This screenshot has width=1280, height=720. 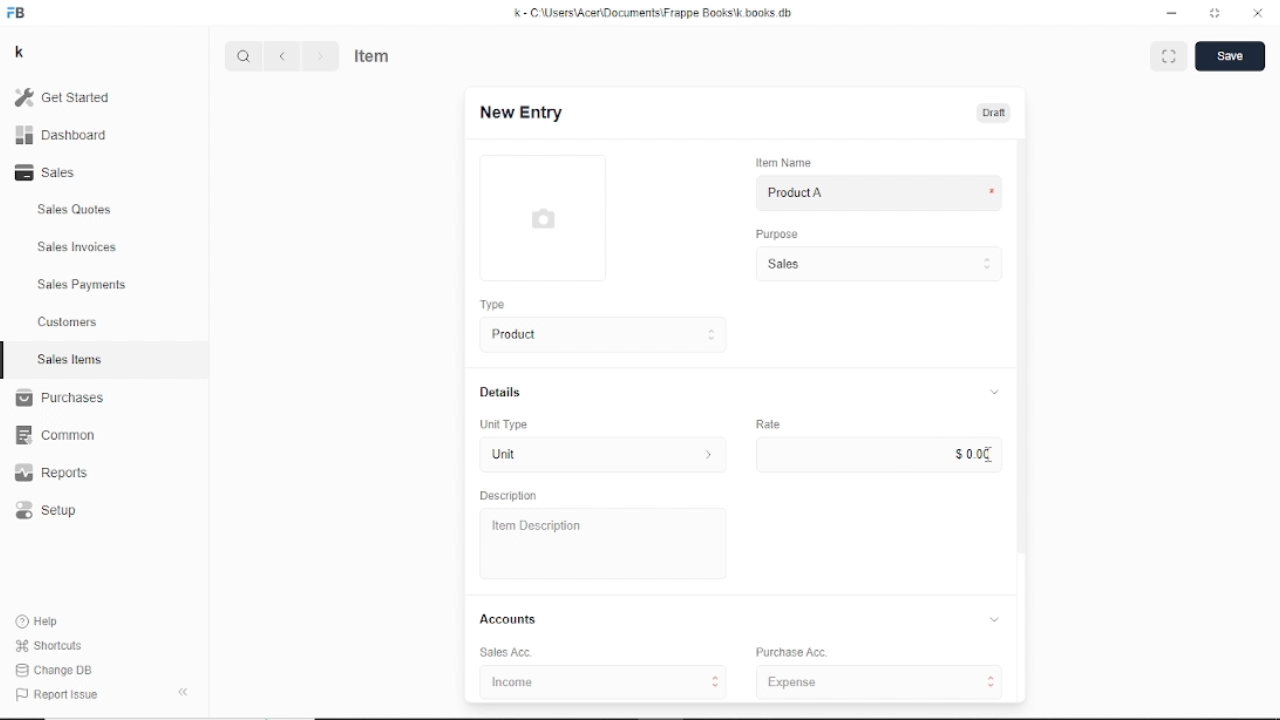 What do you see at coordinates (775, 233) in the screenshot?
I see `Purpose` at bounding box center [775, 233].